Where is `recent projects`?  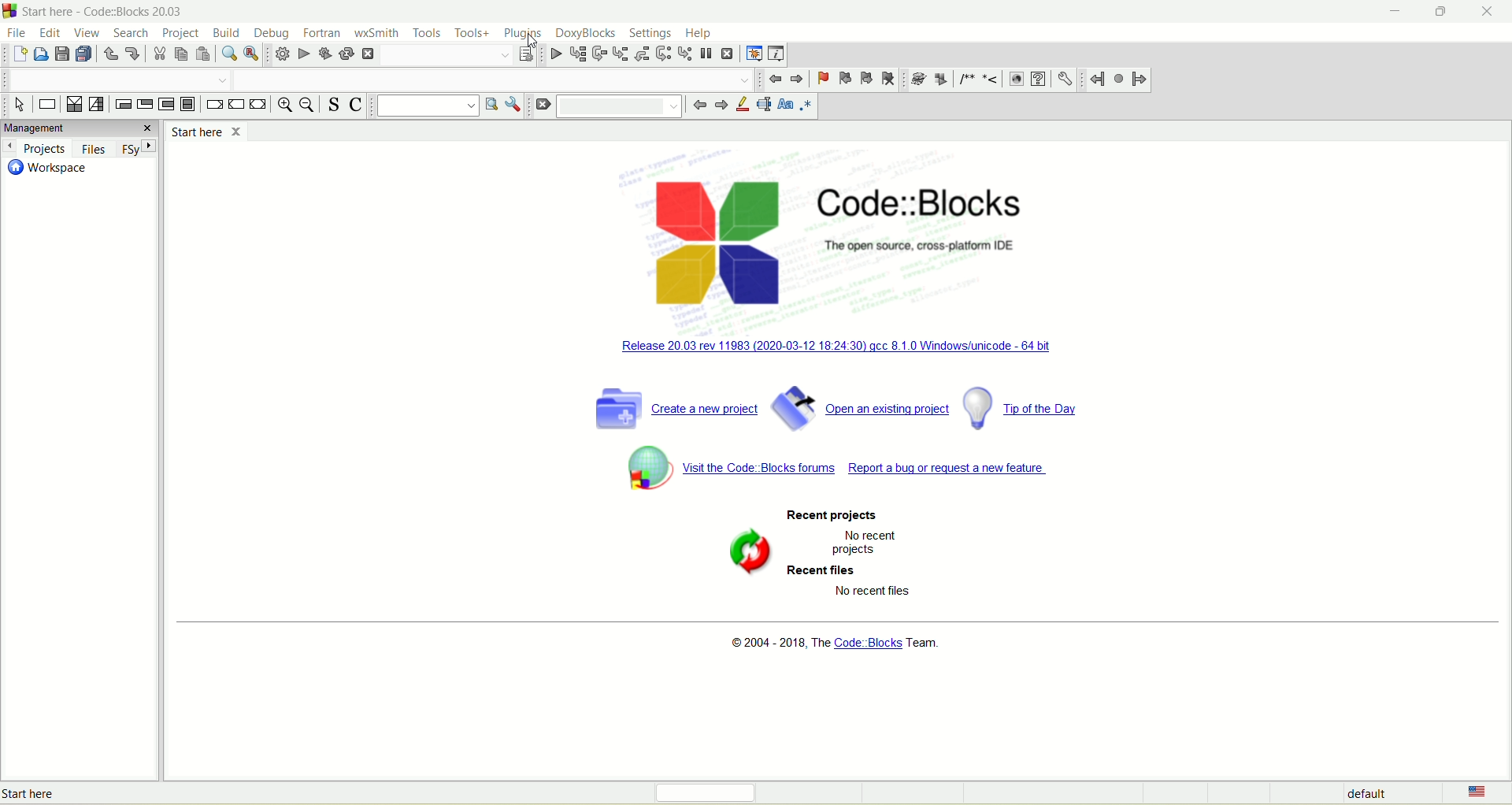
recent projects is located at coordinates (830, 514).